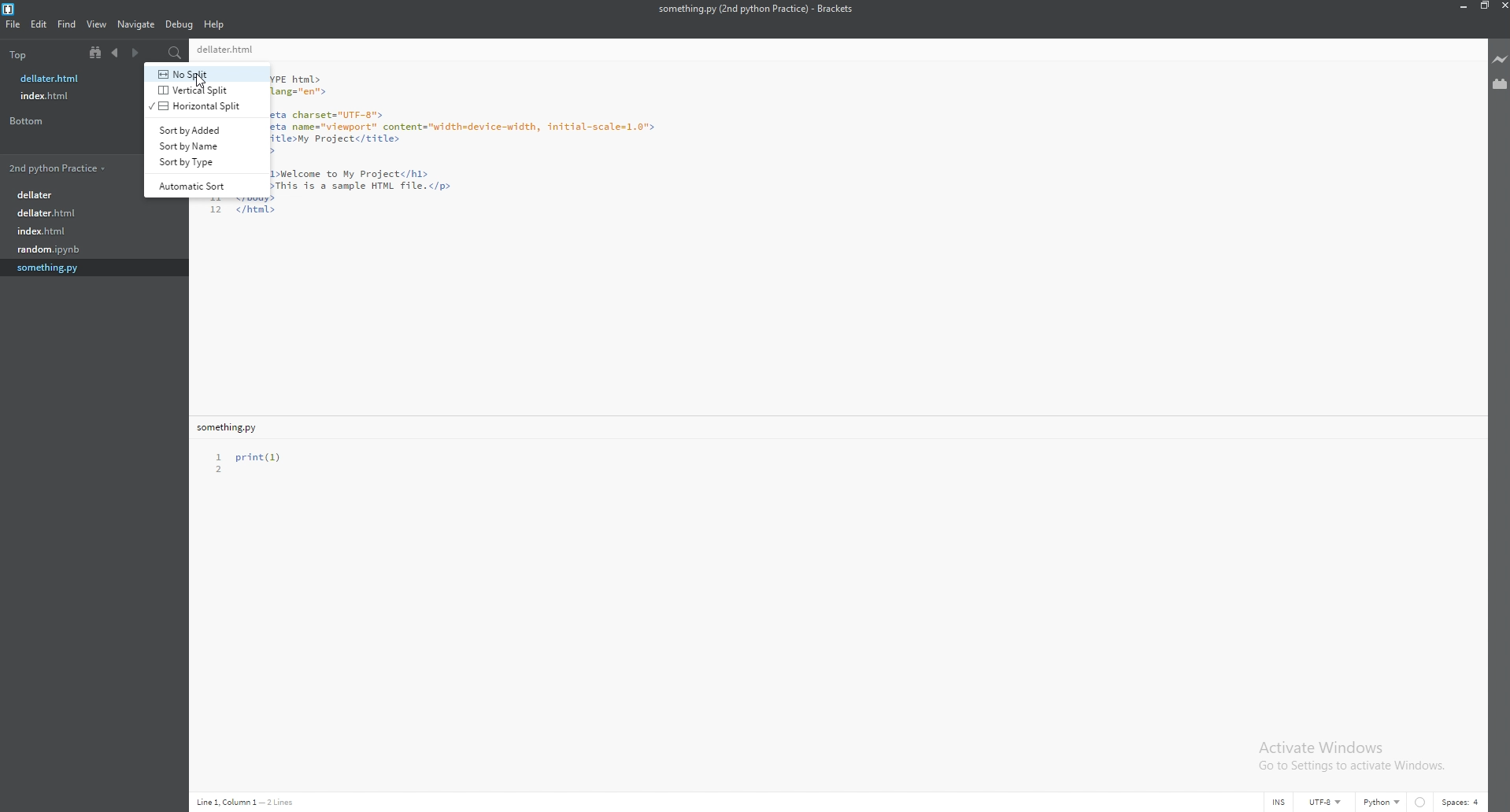 The image size is (1510, 812). Describe the element at coordinates (208, 129) in the screenshot. I see `sort by added` at that location.